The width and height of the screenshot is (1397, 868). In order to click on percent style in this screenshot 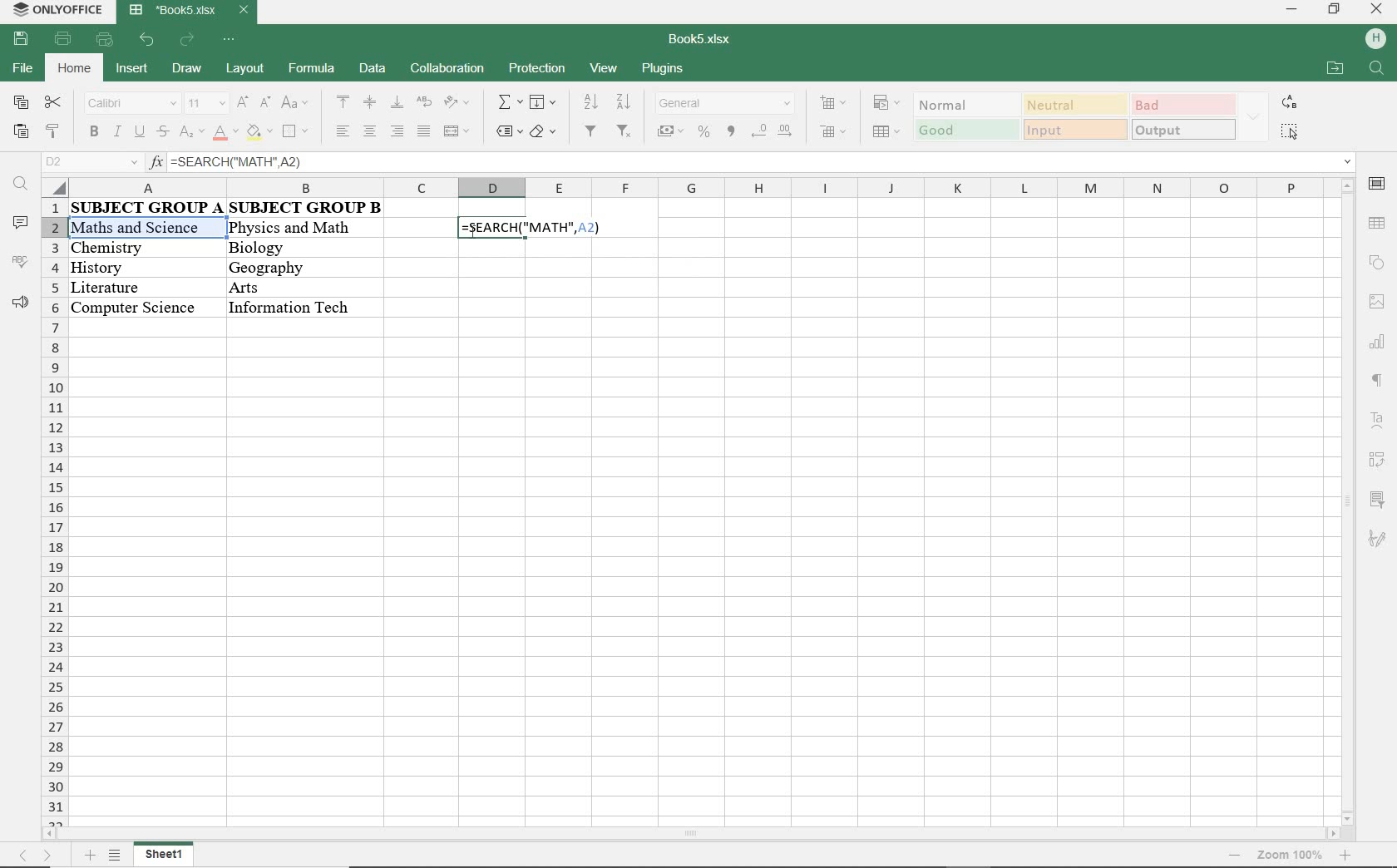, I will do `click(705, 133)`.